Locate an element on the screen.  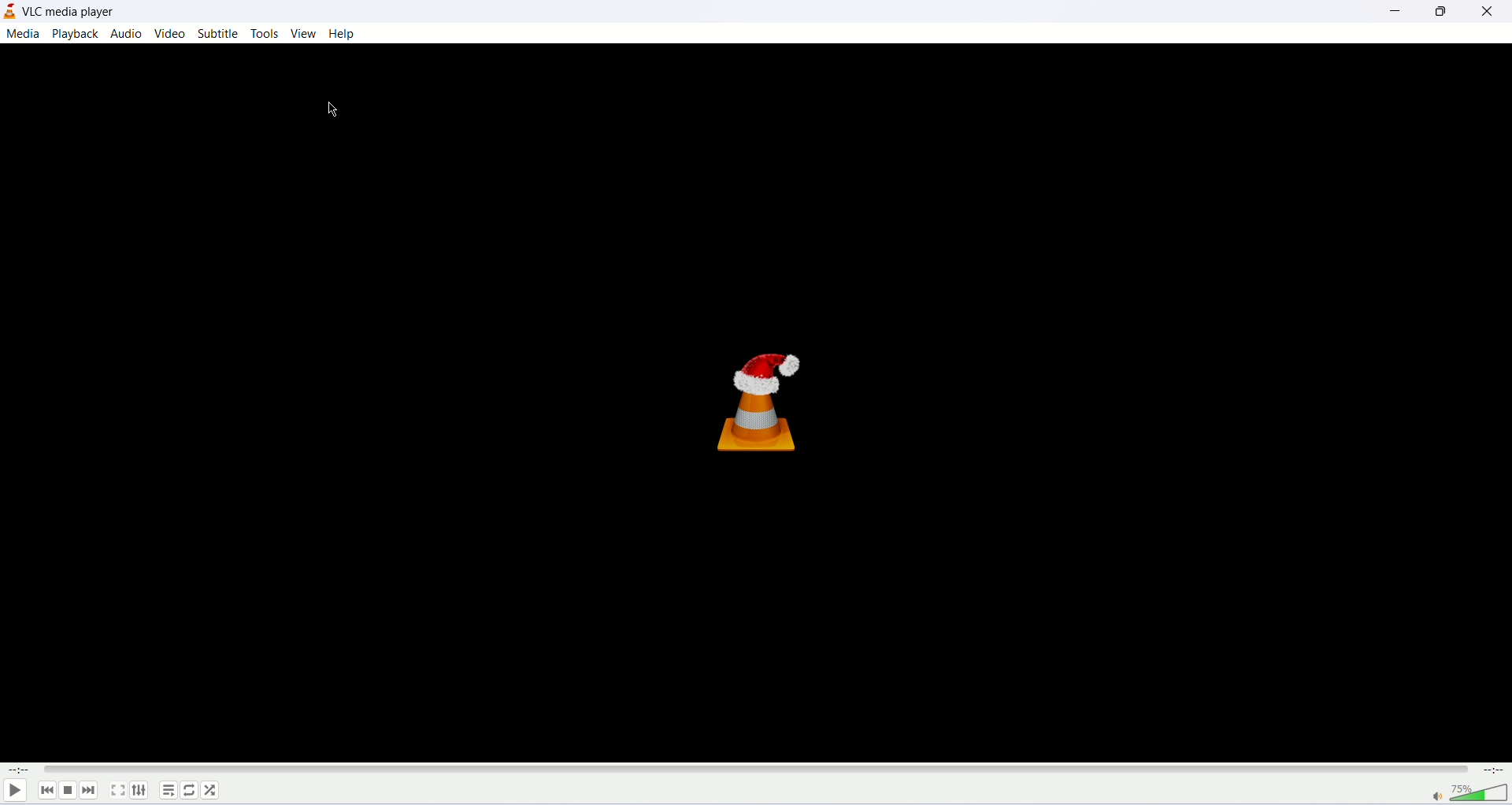
cursor is located at coordinates (323, 109).